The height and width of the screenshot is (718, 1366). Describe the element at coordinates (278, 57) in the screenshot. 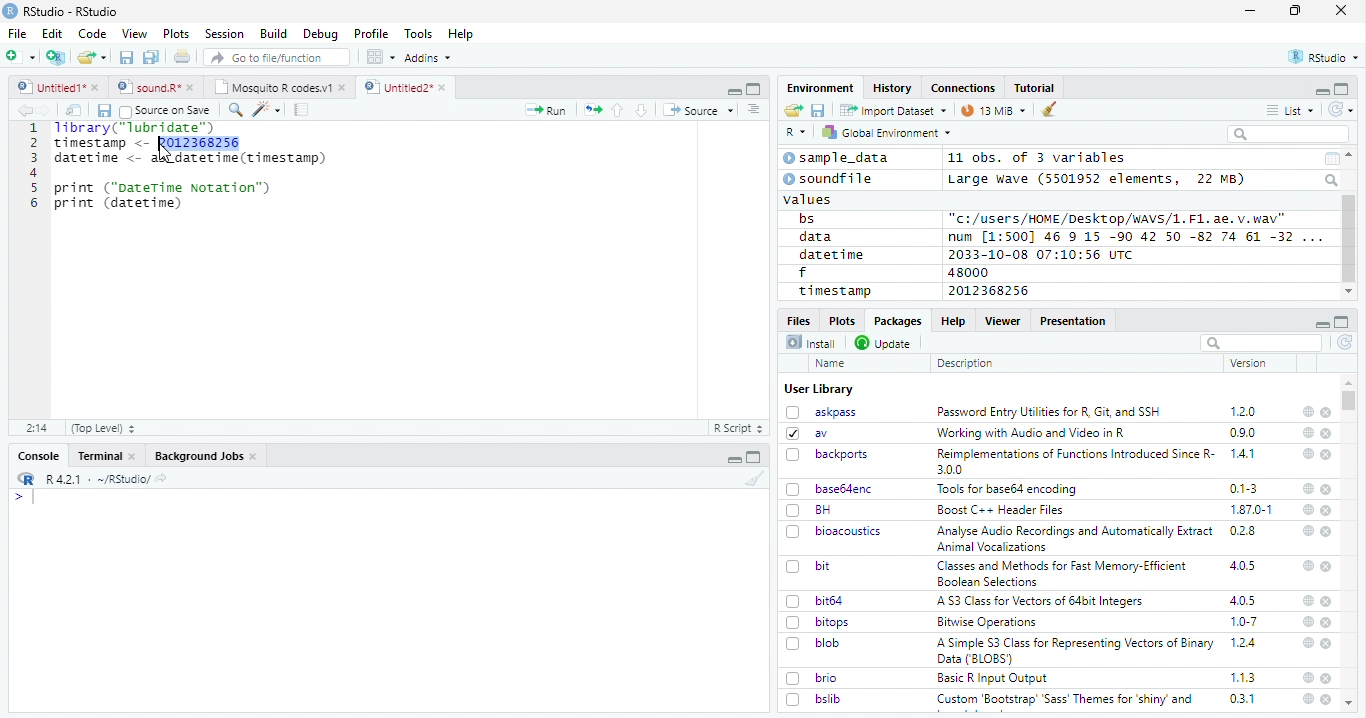

I see `Go to file/function` at that location.